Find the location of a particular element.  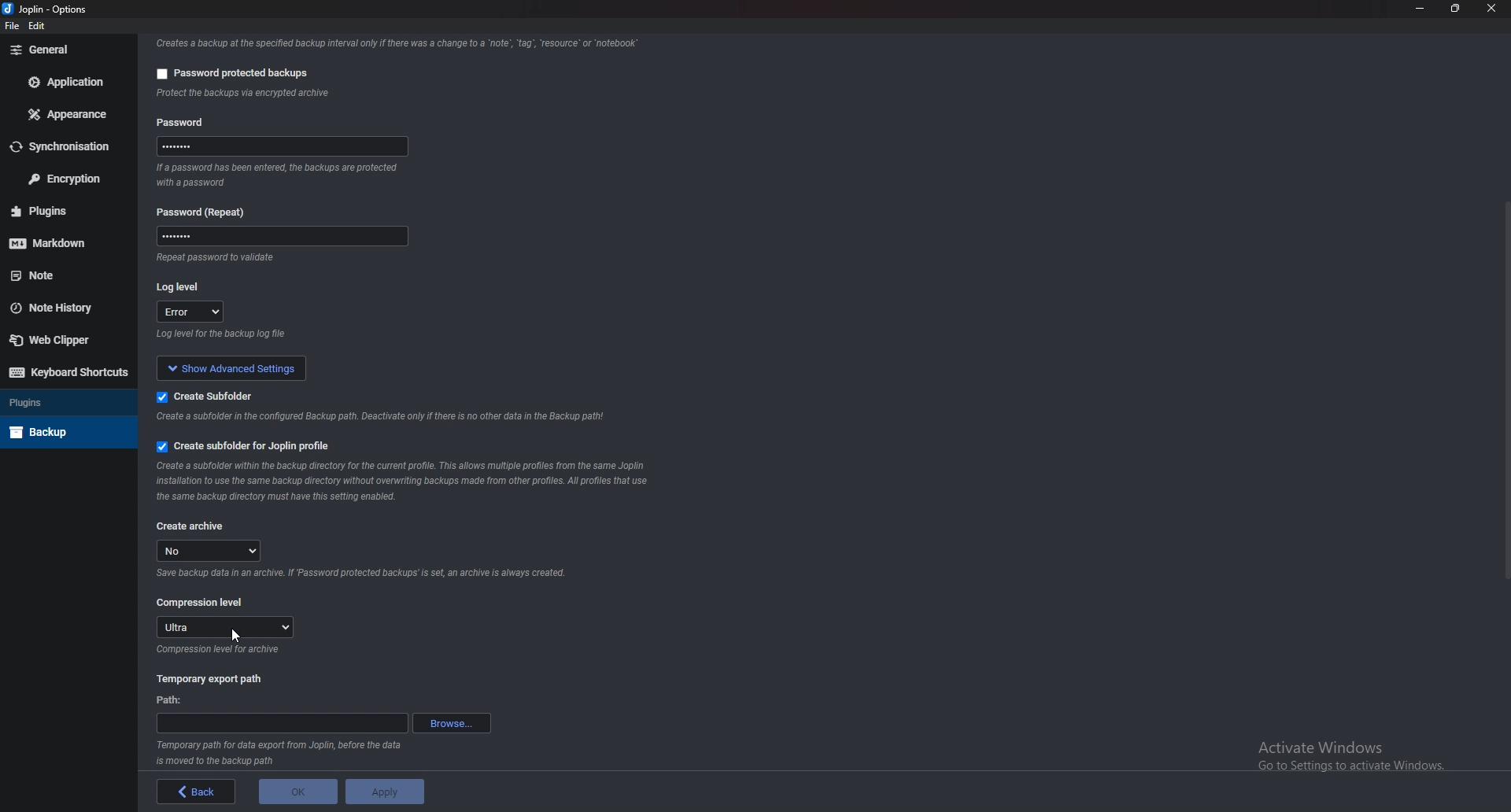

password is located at coordinates (184, 120).